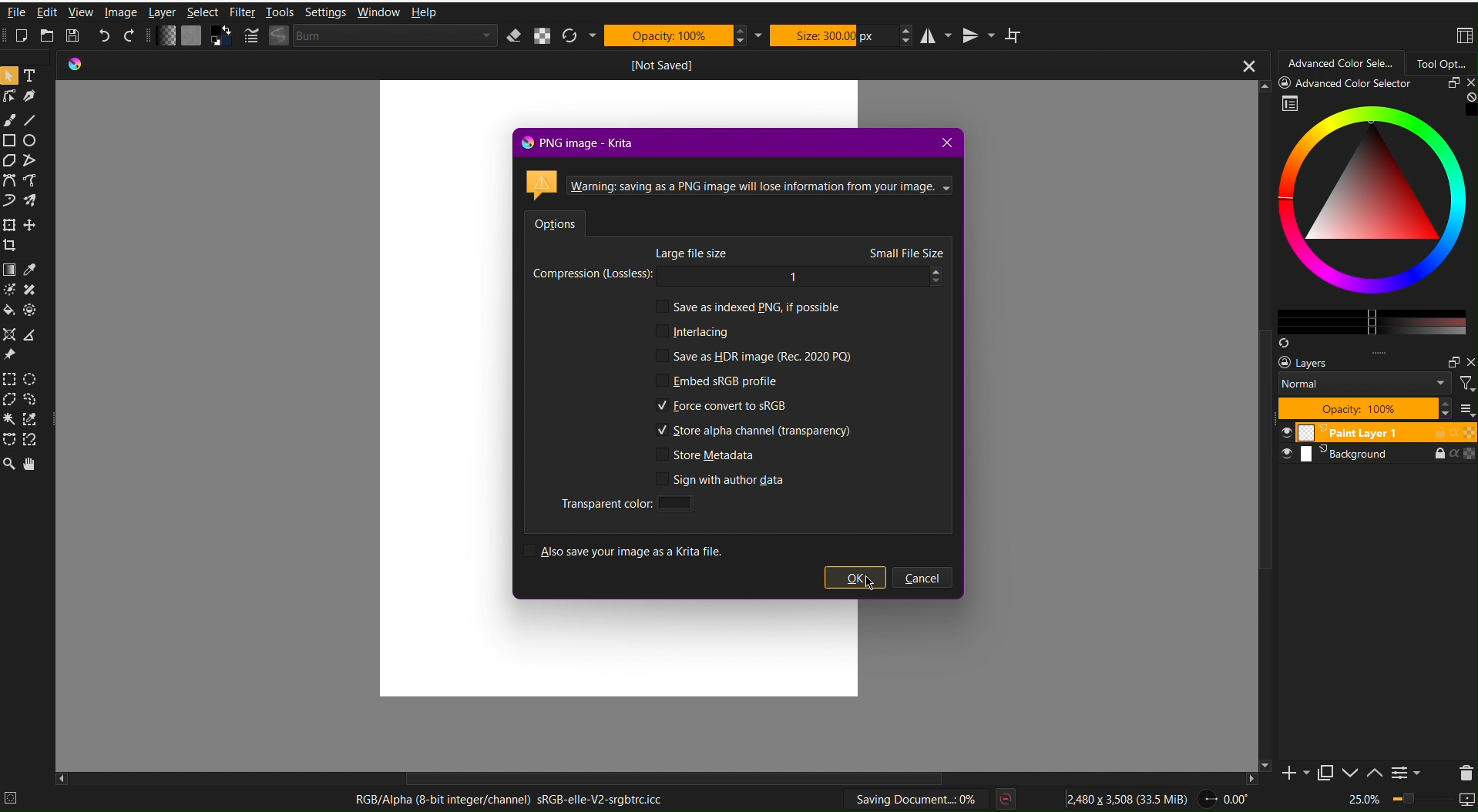 The image size is (1478, 812). I want to click on Transparent Color, so click(623, 502).